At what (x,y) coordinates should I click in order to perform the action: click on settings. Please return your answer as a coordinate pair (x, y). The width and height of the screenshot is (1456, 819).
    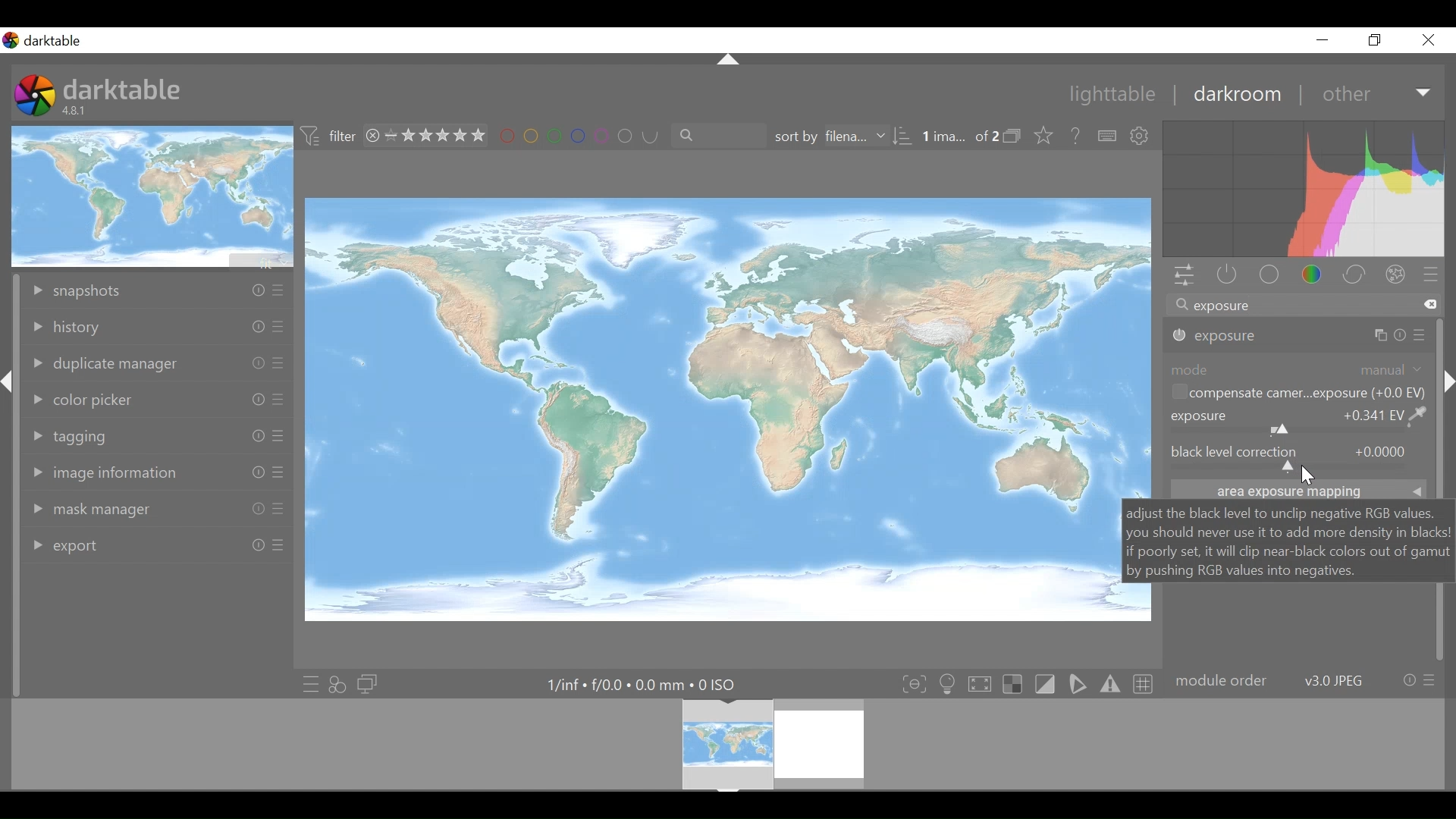
    Looking at the image, I should click on (1141, 136).